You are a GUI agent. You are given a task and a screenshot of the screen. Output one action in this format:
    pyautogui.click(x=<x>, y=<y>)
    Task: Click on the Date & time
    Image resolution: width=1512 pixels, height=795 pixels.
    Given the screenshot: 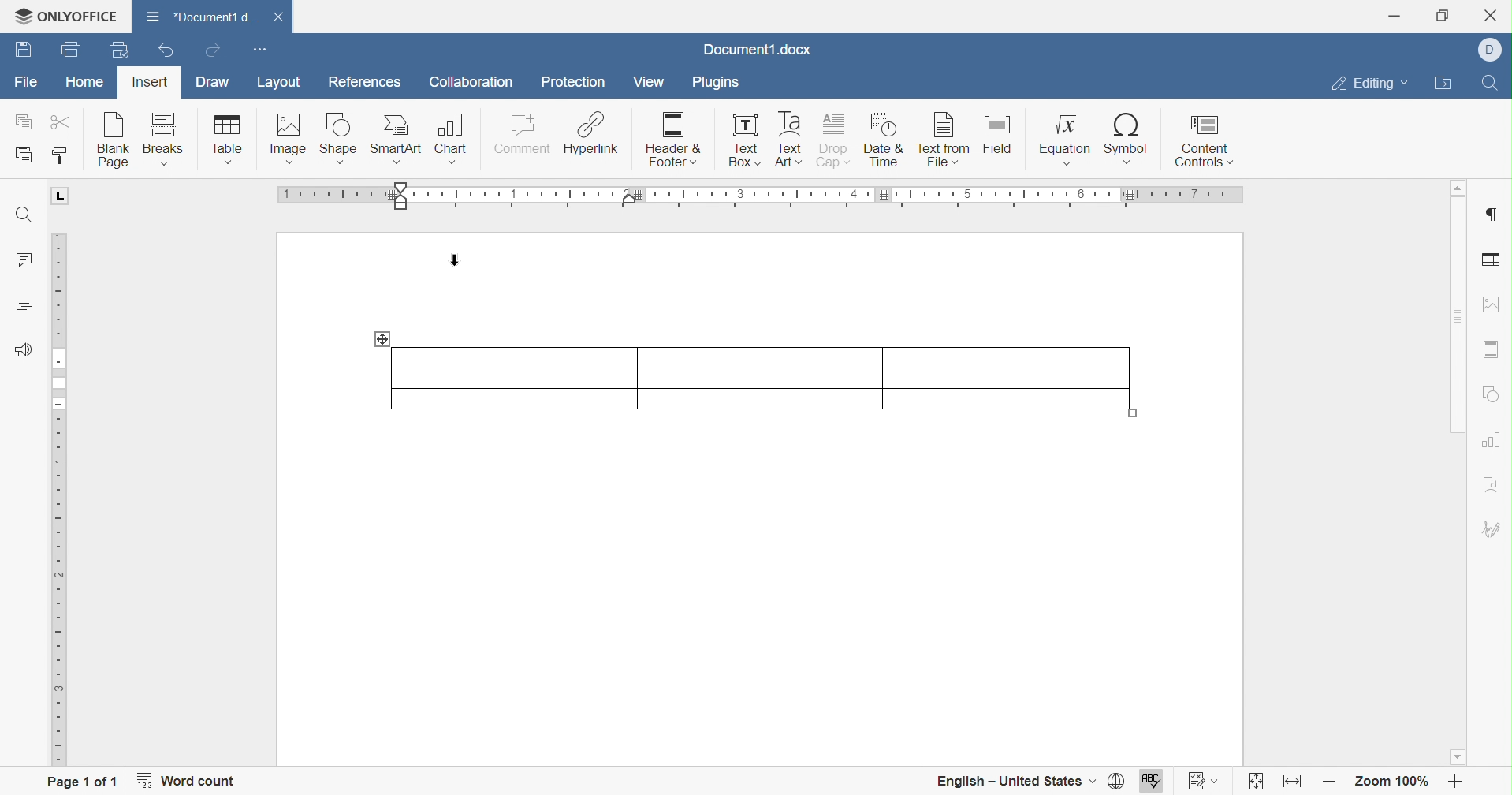 What is the action you would take?
    pyautogui.click(x=885, y=141)
    